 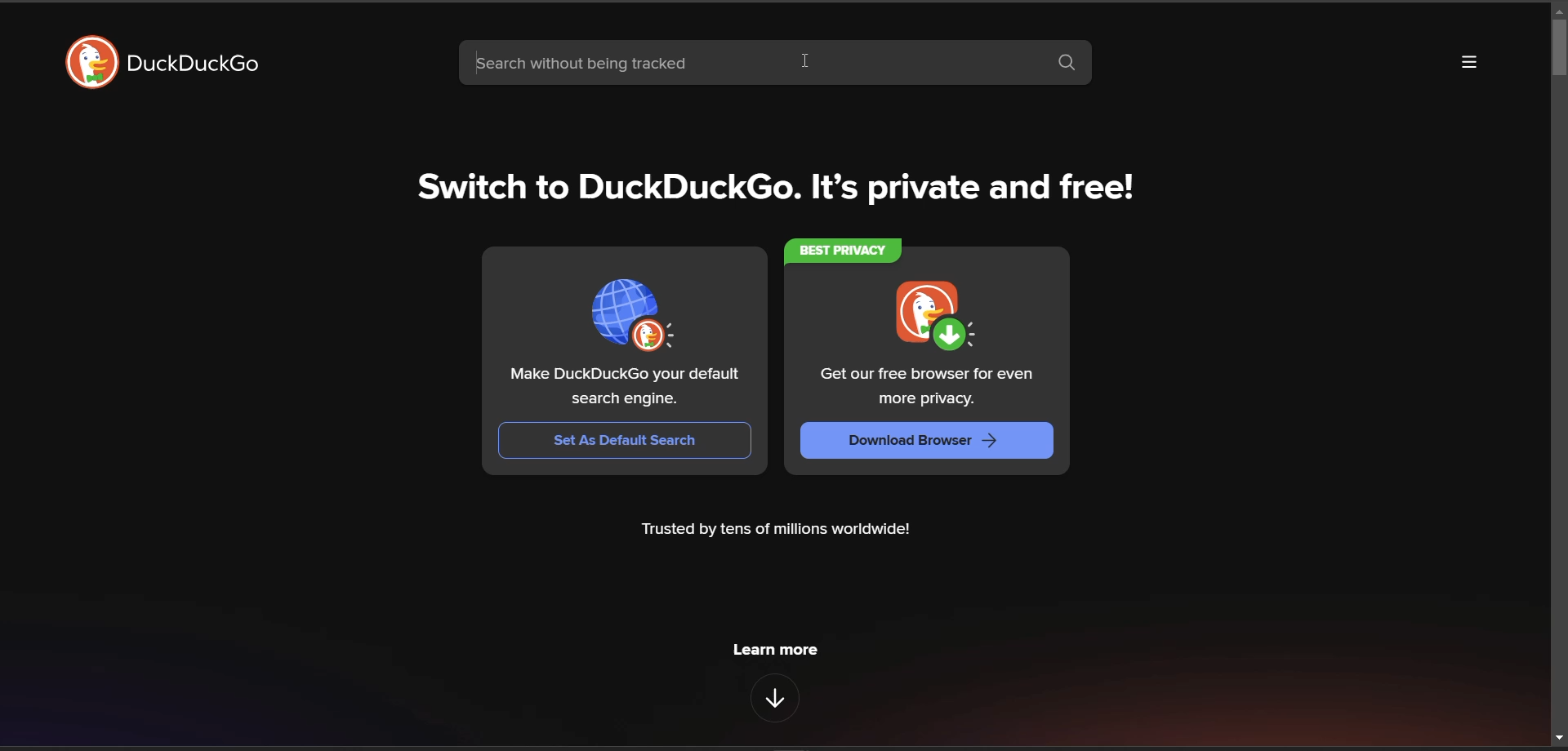 I want to click on set as default search, so click(x=625, y=439).